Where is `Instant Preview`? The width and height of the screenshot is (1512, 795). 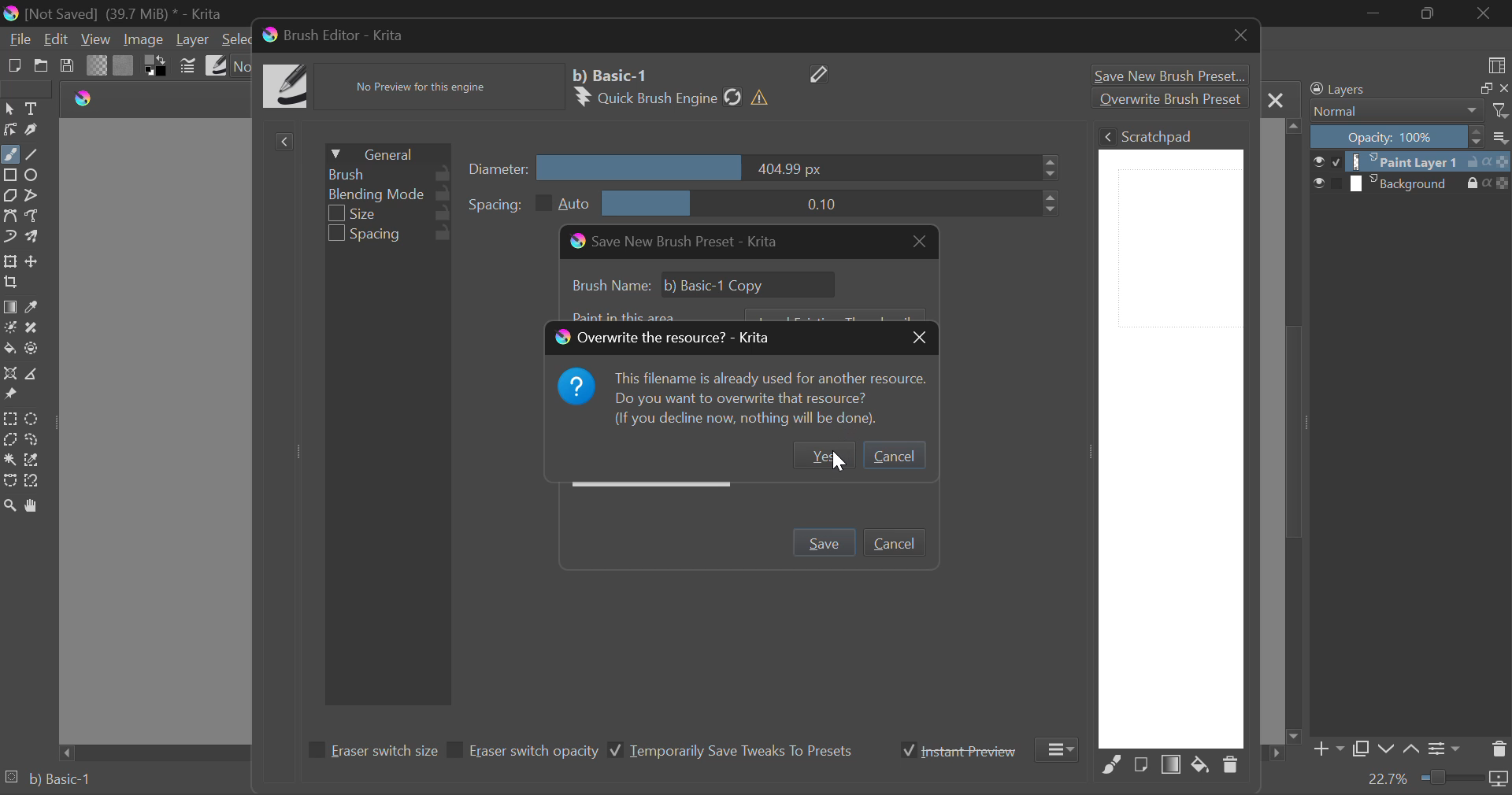 Instant Preview is located at coordinates (959, 750).